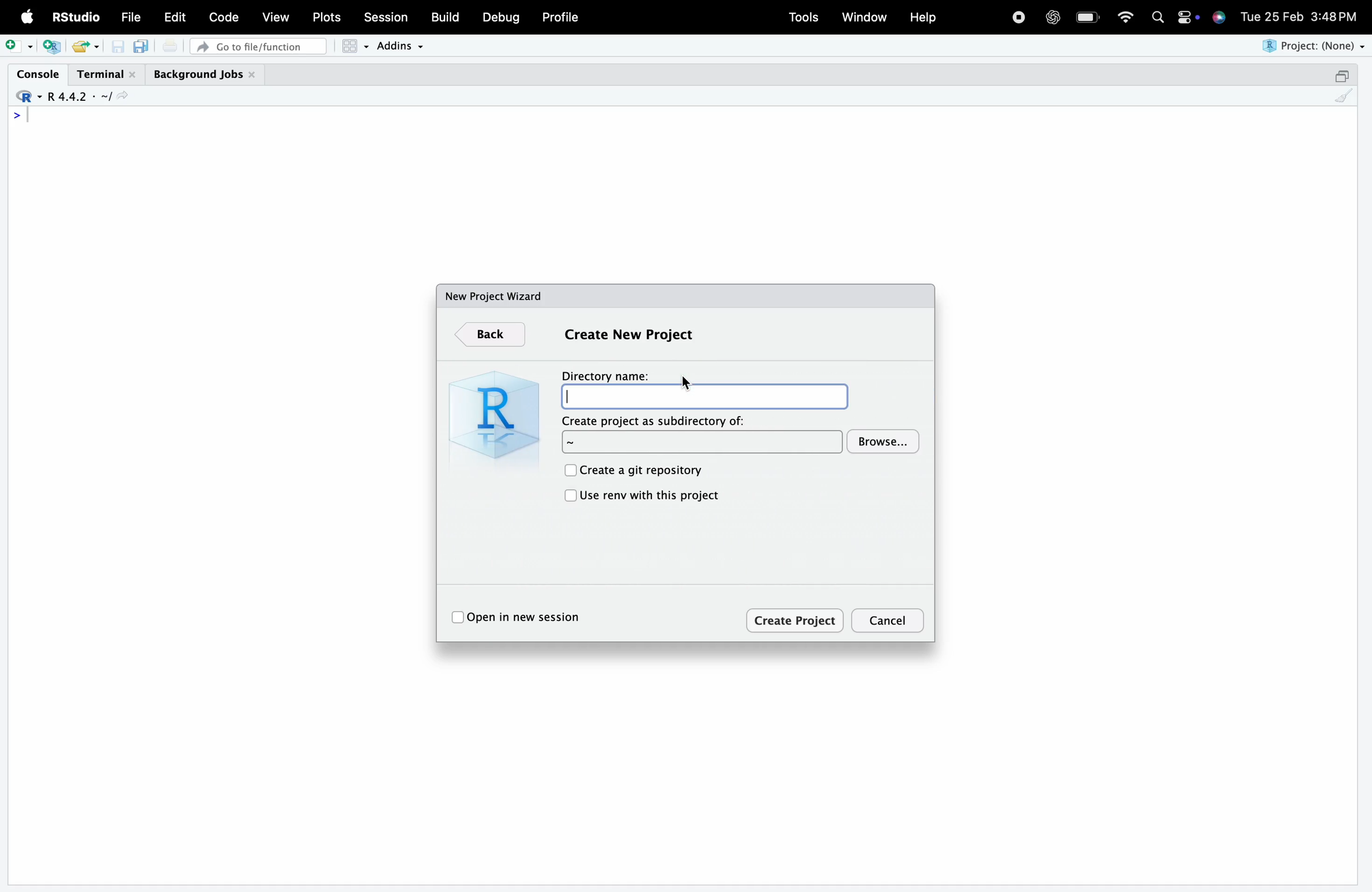 The image size is (1372, 892). What do you see at coordinates (170, 46) in the screenshot?
I see `print the current file` at bounding box center [170, 46].